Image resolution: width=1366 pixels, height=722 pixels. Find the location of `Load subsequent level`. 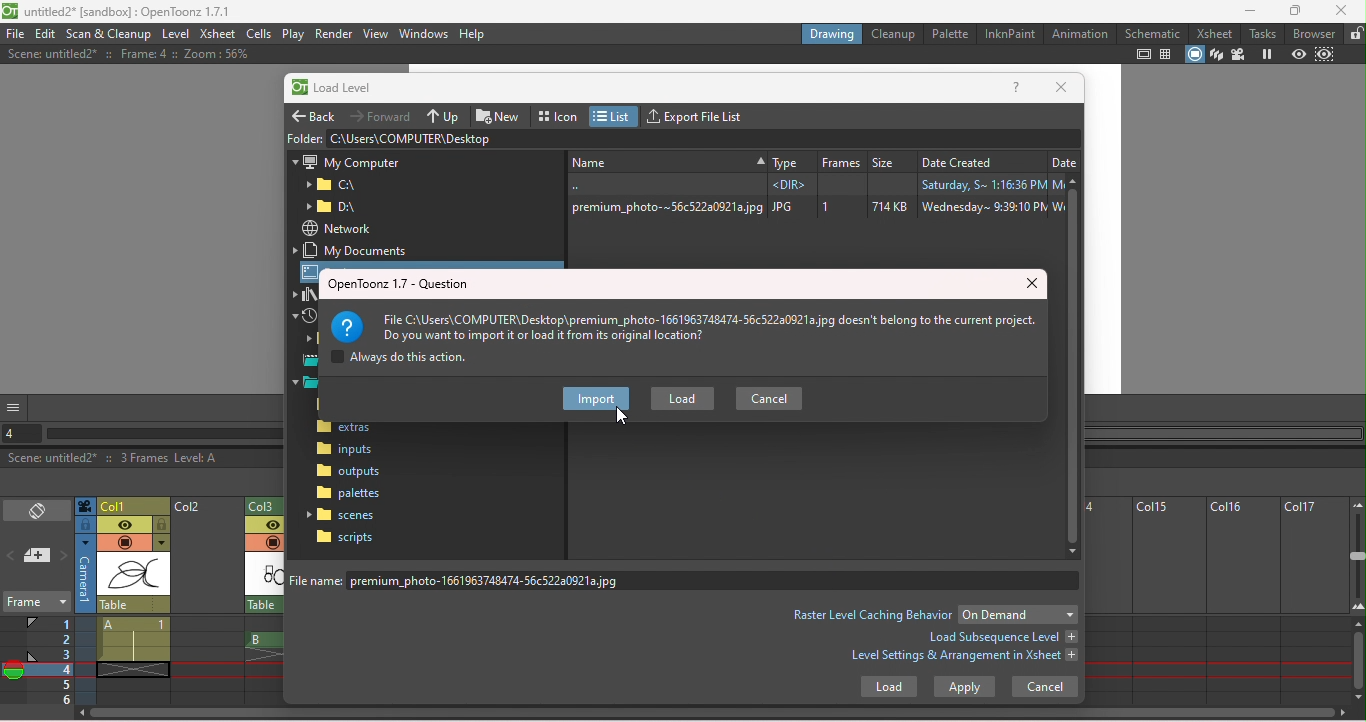

Load subsequent level is located at coordinates (1001, 637).